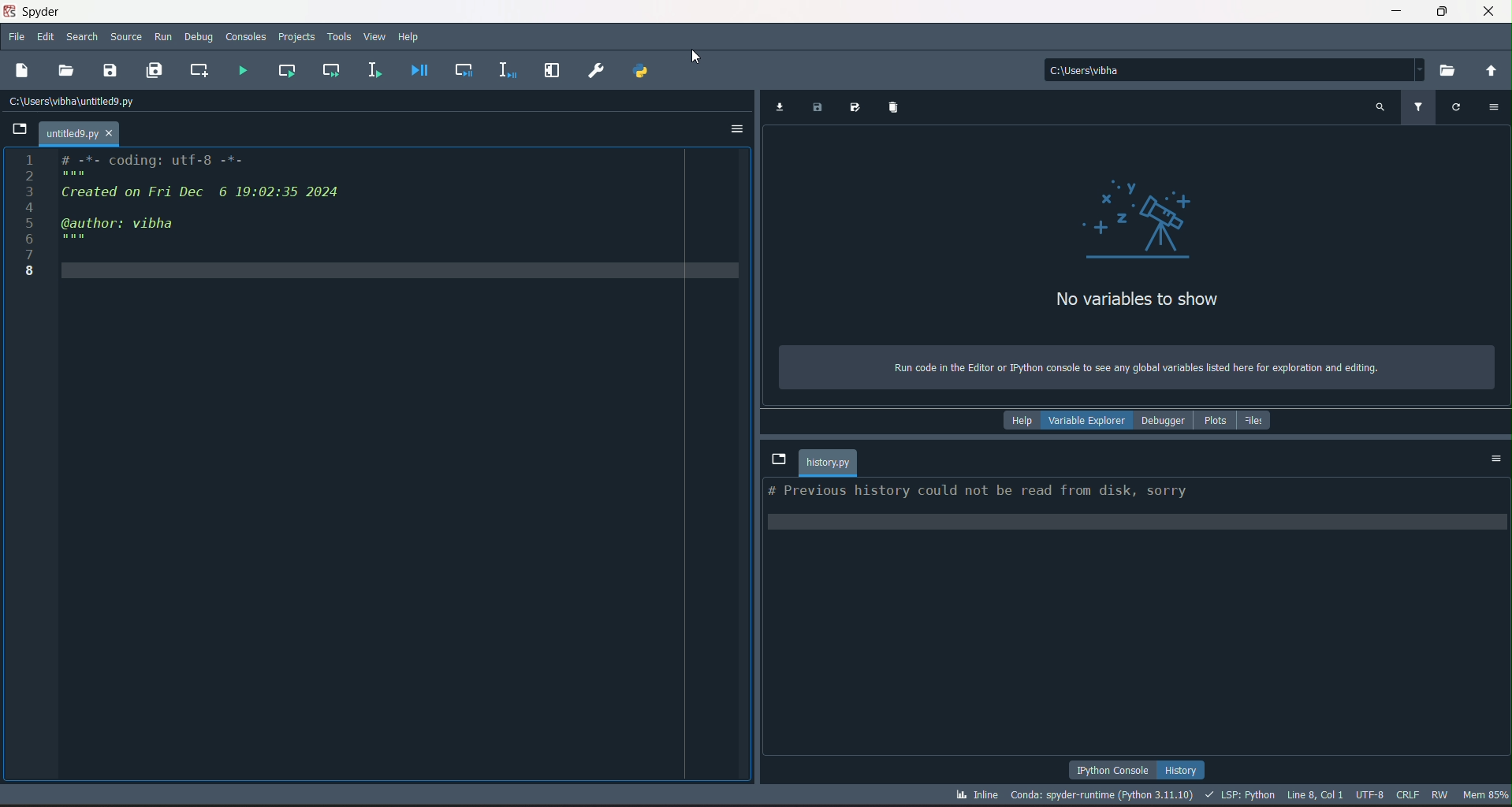 The width and height of the screenshot is (1512, 807). What do you see at coordinates (416, 72) in the screenshot?
I see `debug file` at bounding box center [416, 72].